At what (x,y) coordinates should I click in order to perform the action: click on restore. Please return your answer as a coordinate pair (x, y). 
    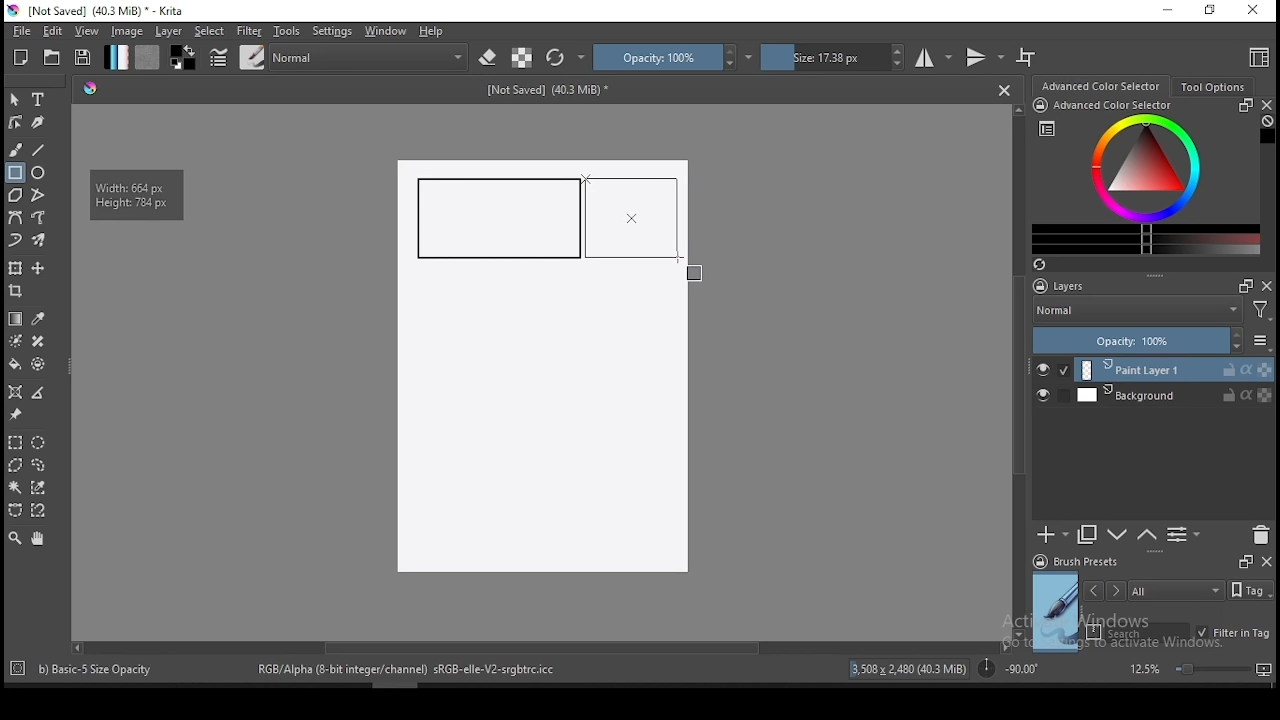
    Looking at the image, I should click on (1214, 11).